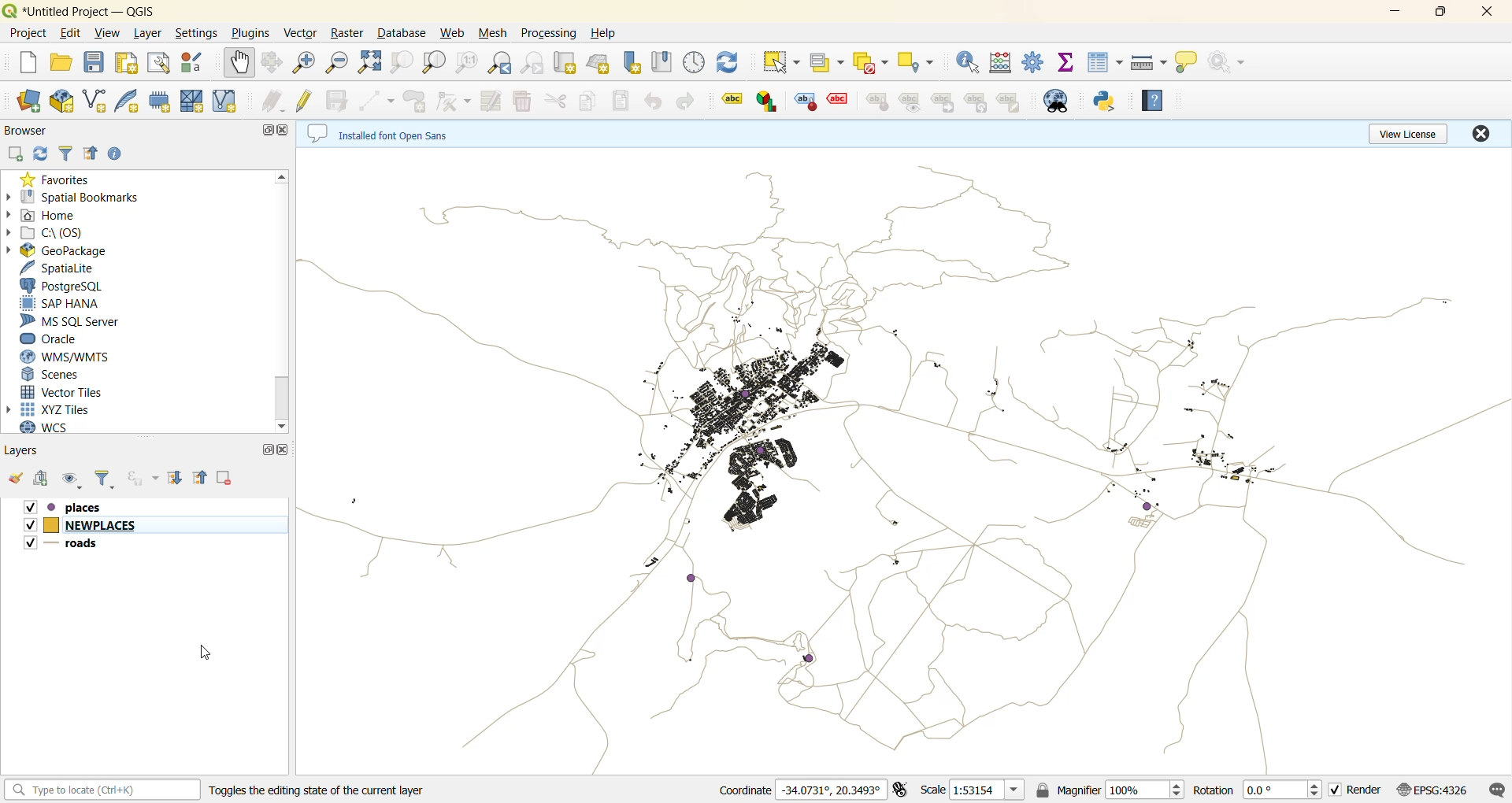 The image size is (1512, 803). I want to click on project, so click(26, 32).